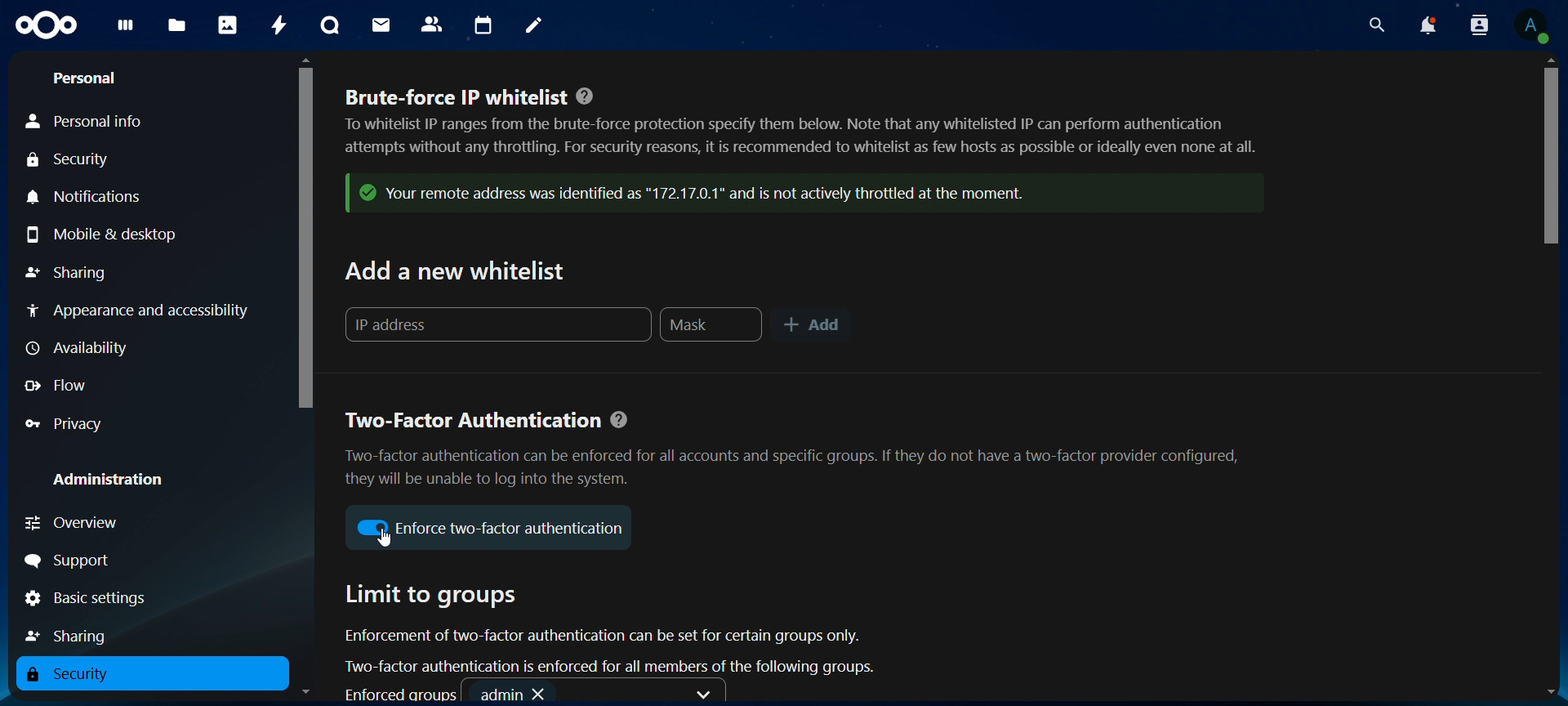 This screenshot has width=1568, height=706. What do you see at coordinates (796, 449) in the screenshot?
I see `Two factor authentication` at bounding box center [796, 449].